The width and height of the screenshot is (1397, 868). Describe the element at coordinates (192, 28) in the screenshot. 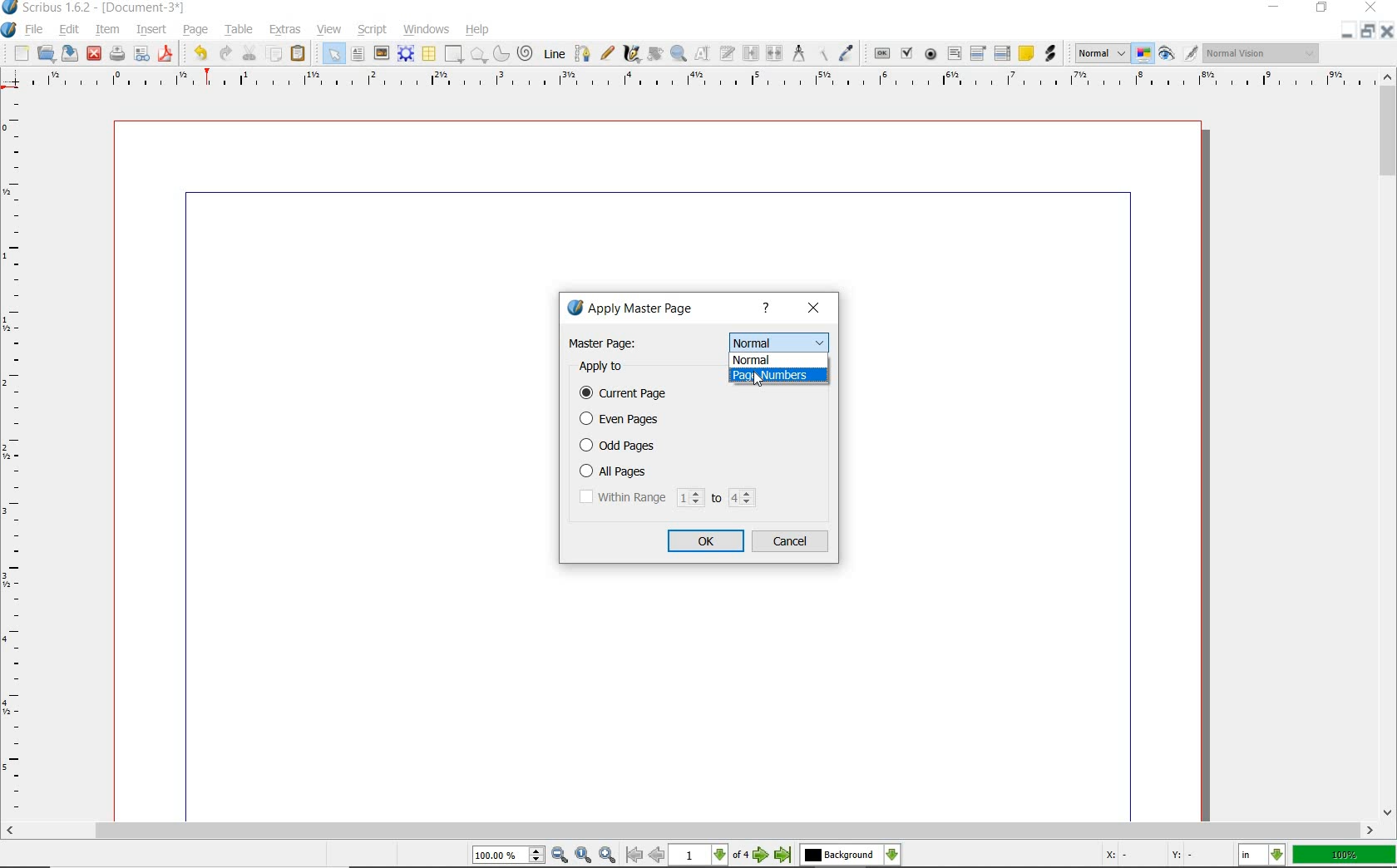

I see `page` at that location.